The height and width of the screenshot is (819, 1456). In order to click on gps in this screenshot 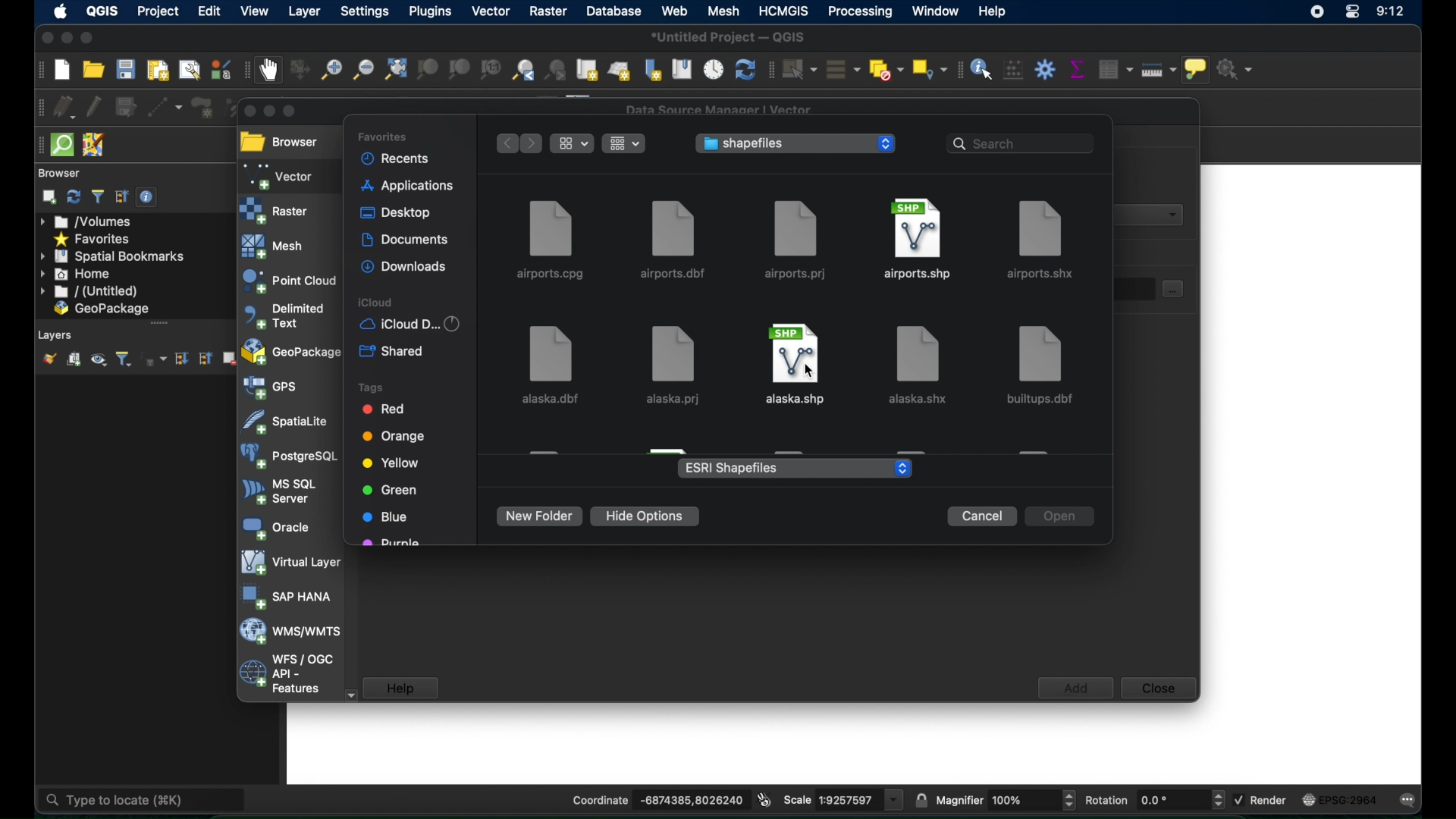, I will do `click(271, 388)`.